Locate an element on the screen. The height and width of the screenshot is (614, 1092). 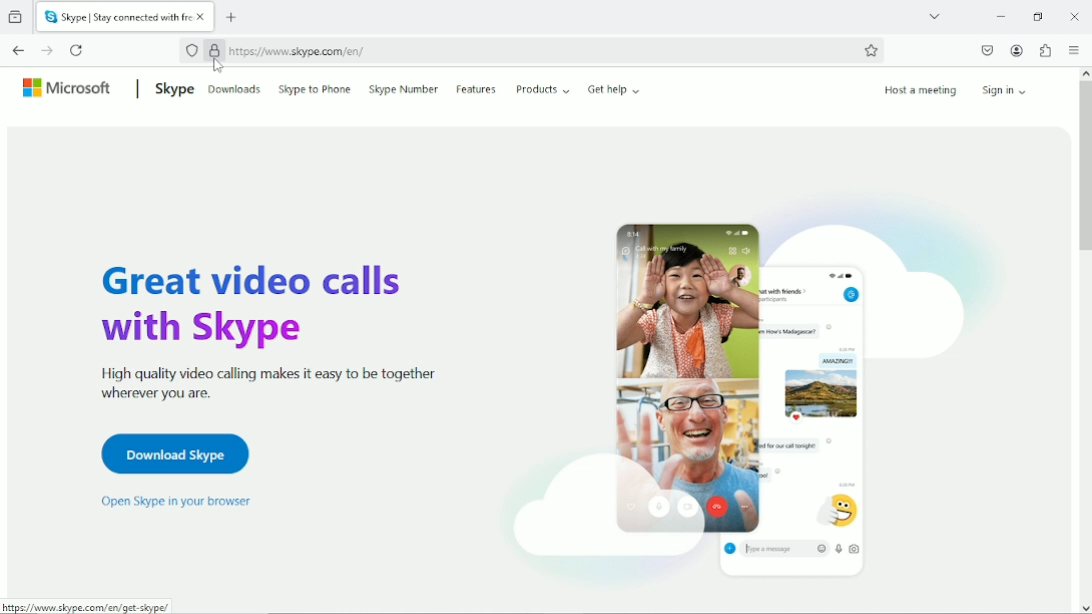
httpsy//www.skype.com/en/ is located at coordinates (299, 52).